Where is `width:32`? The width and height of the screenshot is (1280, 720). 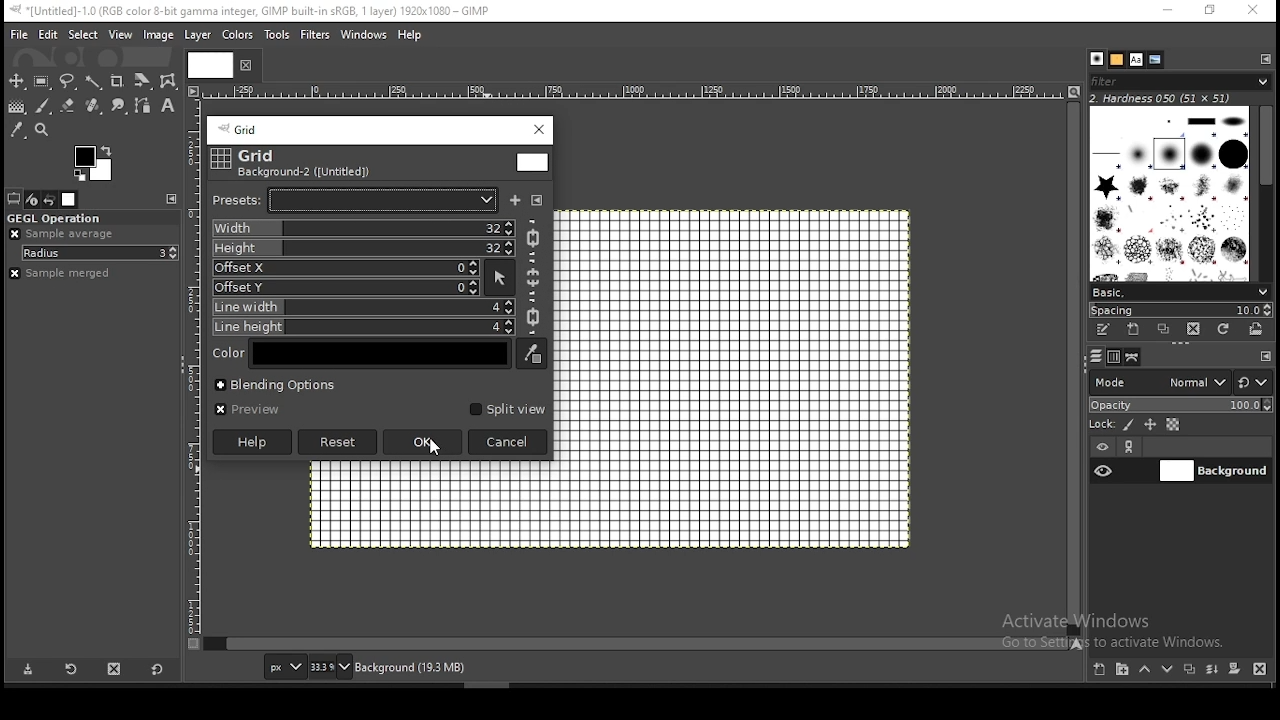 width:32 is located at coordinates (364, 228).